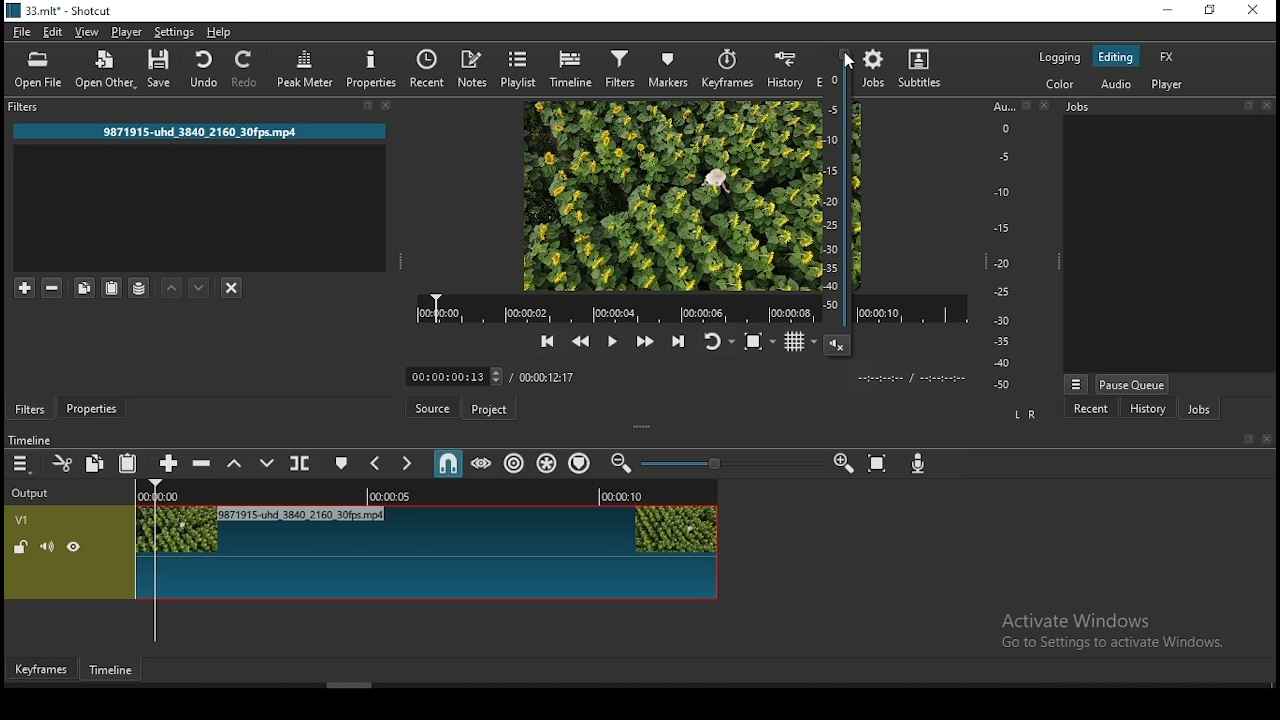 The height and width of the screenshot is (720, 1280). Describe the element at coordinates (407, 466) in the screenshot. I see `next marker` at that location.